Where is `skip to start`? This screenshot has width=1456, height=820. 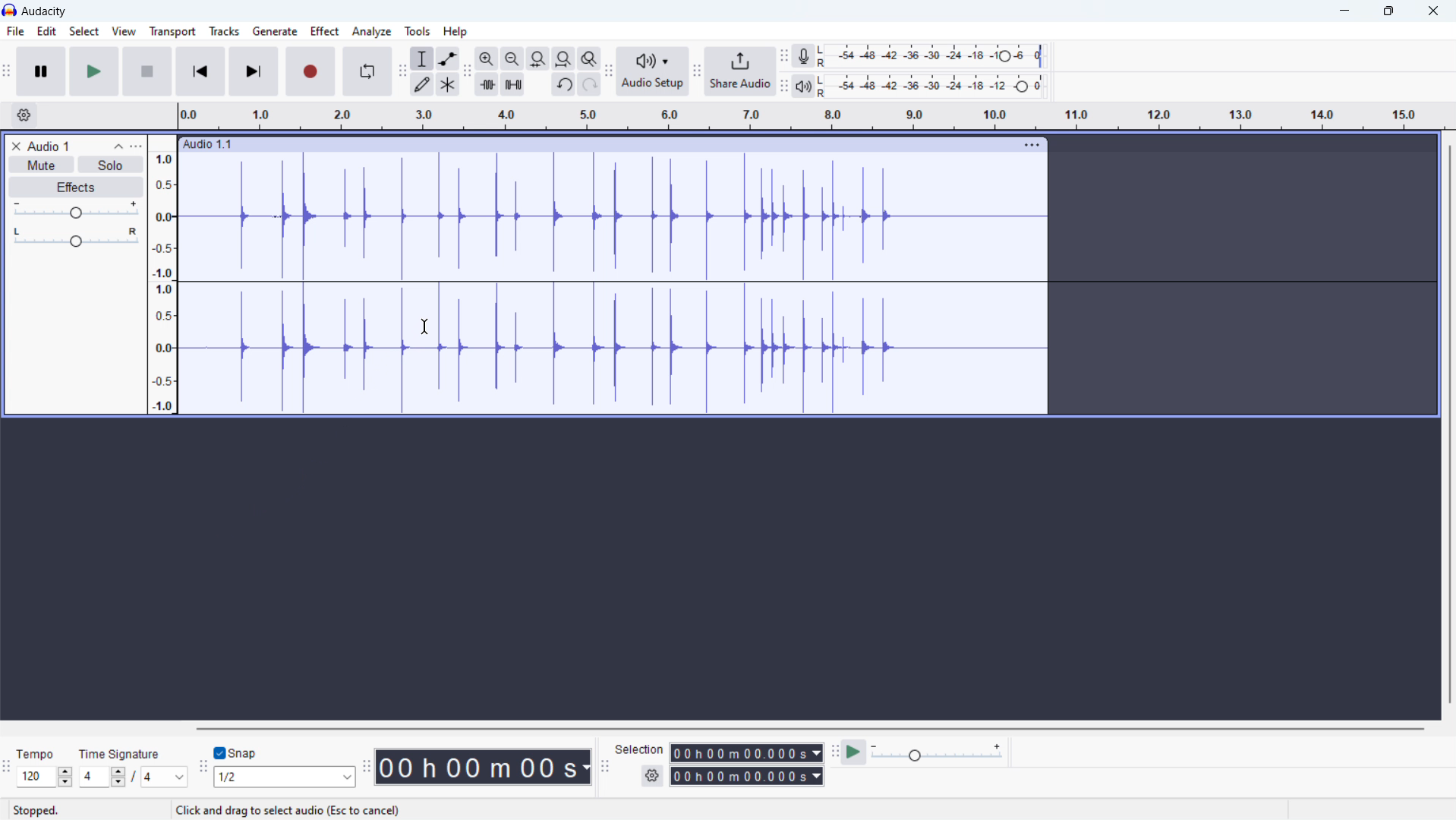
skip to start is located at coordinates (200, 71).